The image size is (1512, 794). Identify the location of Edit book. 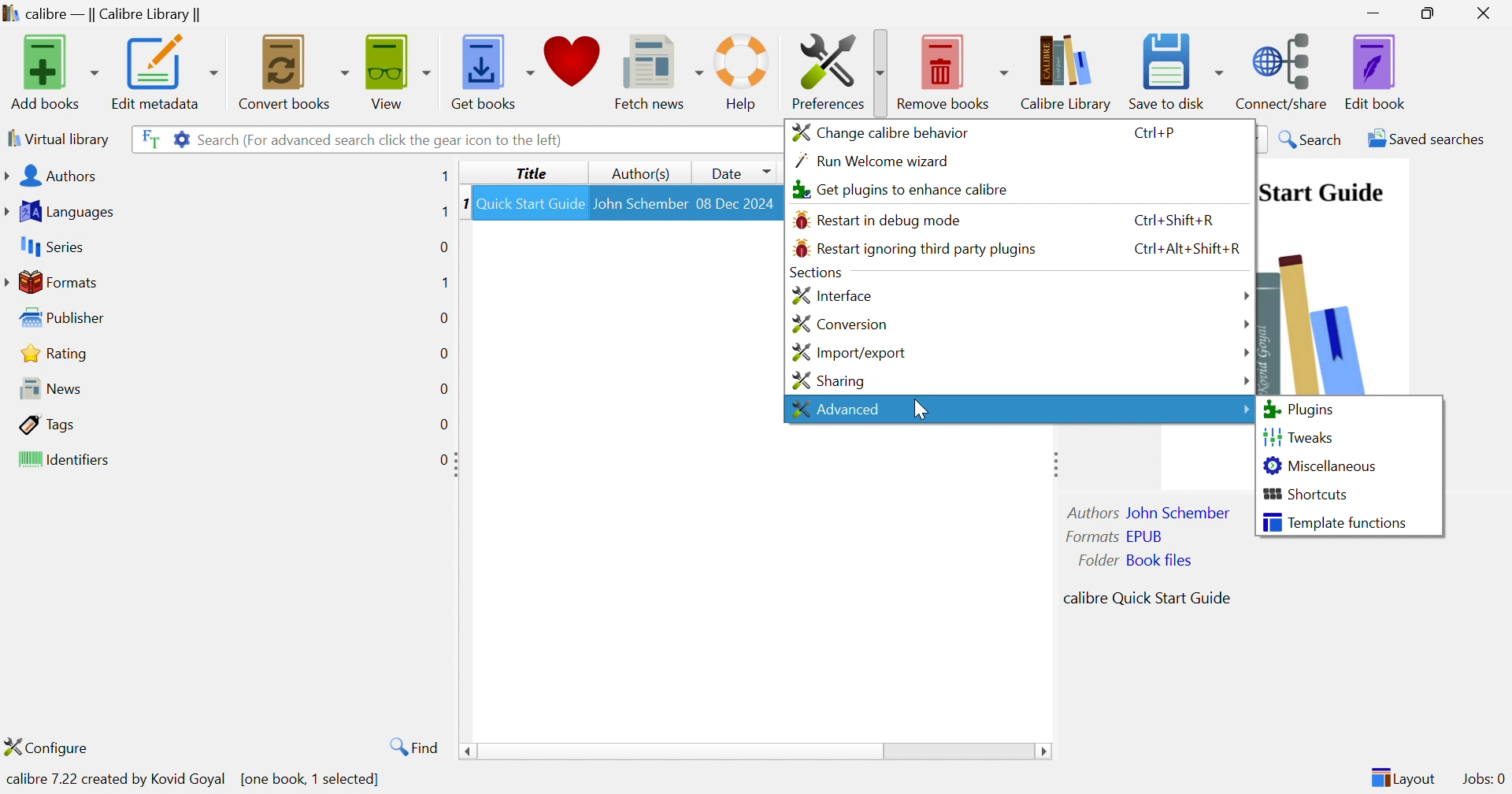
(1376, 72).